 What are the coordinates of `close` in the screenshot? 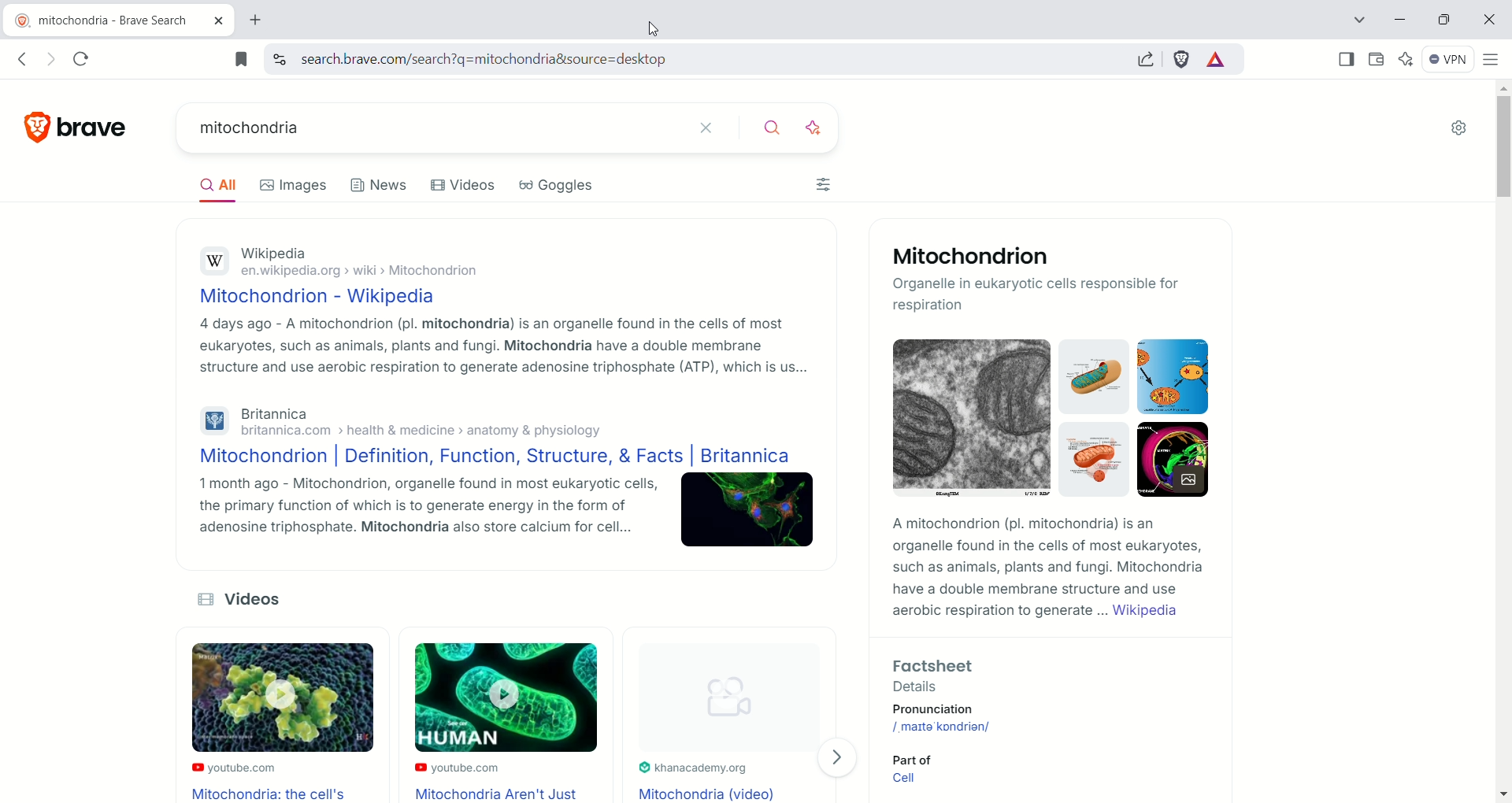 It's located at (703, 128).